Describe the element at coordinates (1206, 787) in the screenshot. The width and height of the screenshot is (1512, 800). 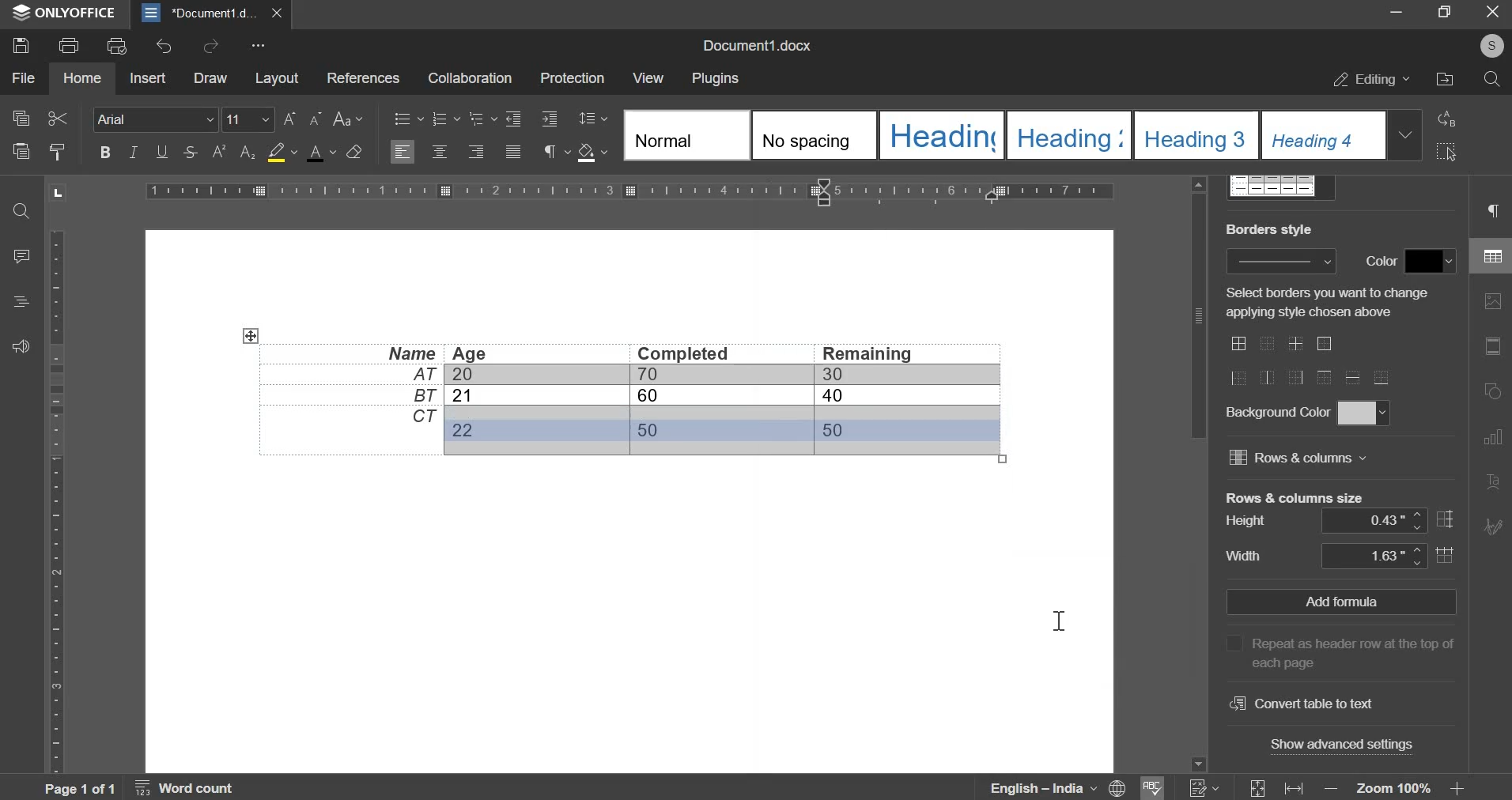
I see `numericals` at that location.